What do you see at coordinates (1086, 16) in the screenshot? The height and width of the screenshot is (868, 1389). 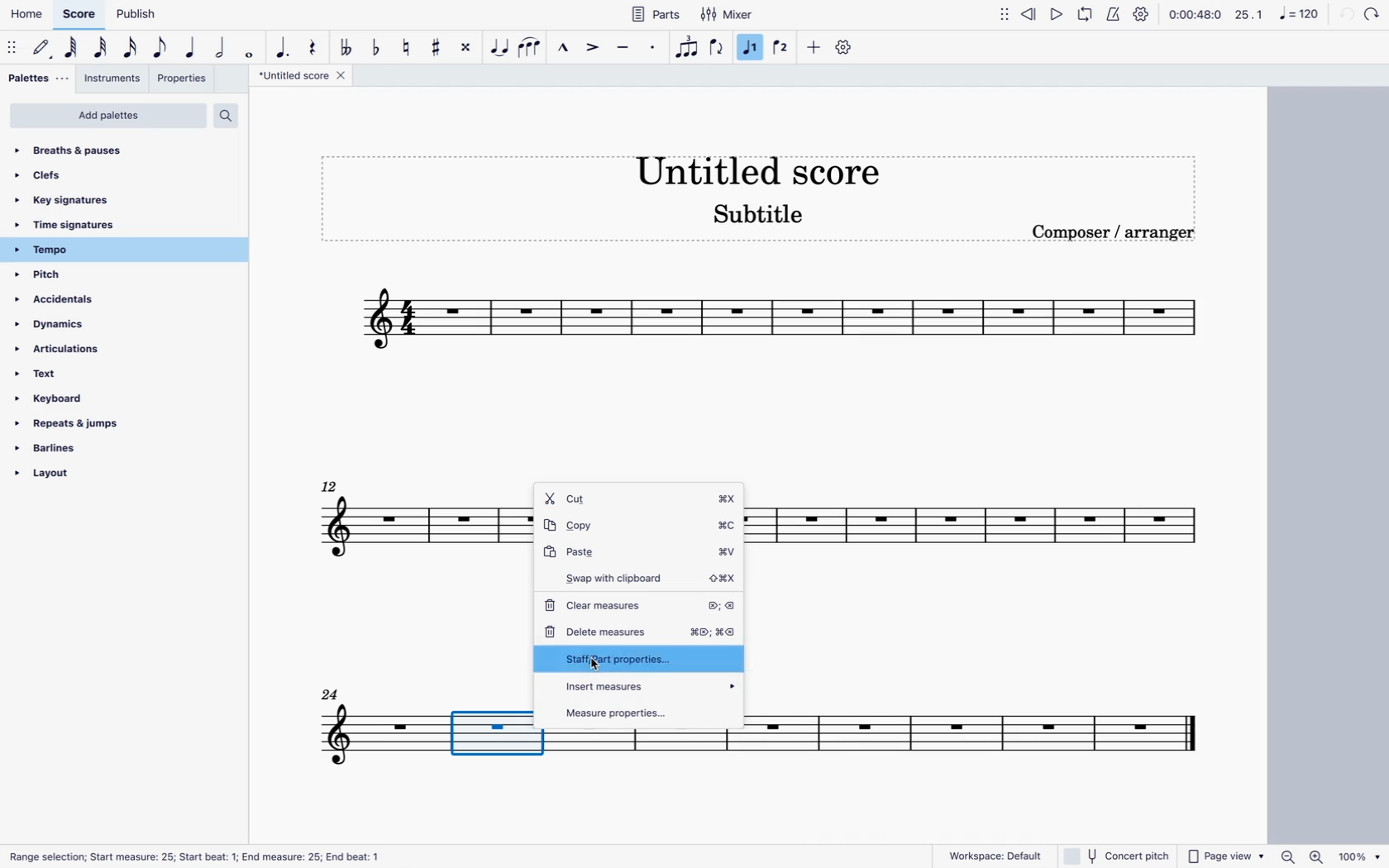 I see `loop playback` at bounding box center [1086, 16].